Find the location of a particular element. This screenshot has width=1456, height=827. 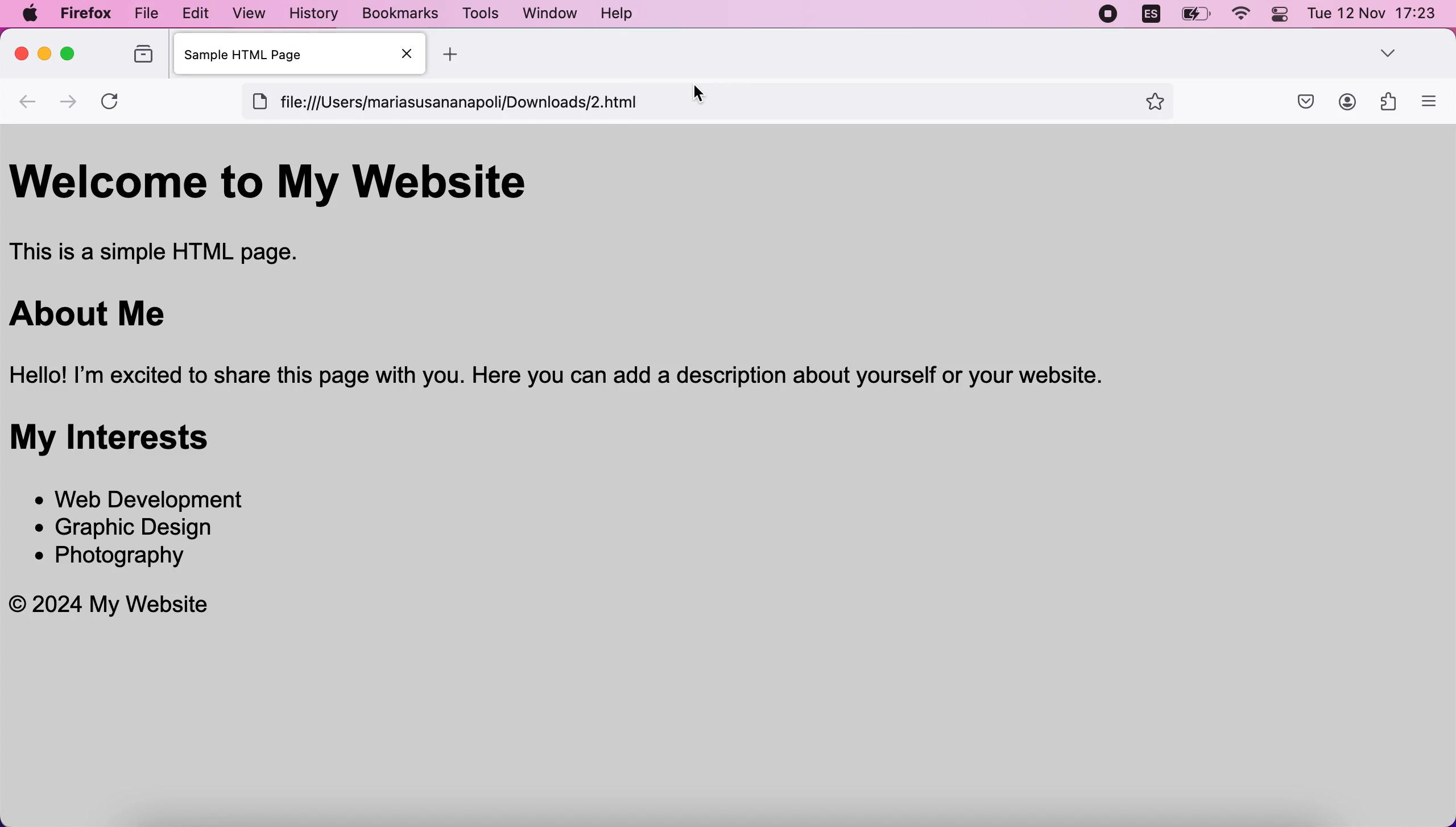

save to pocket is located at coordinates (1304, 103).